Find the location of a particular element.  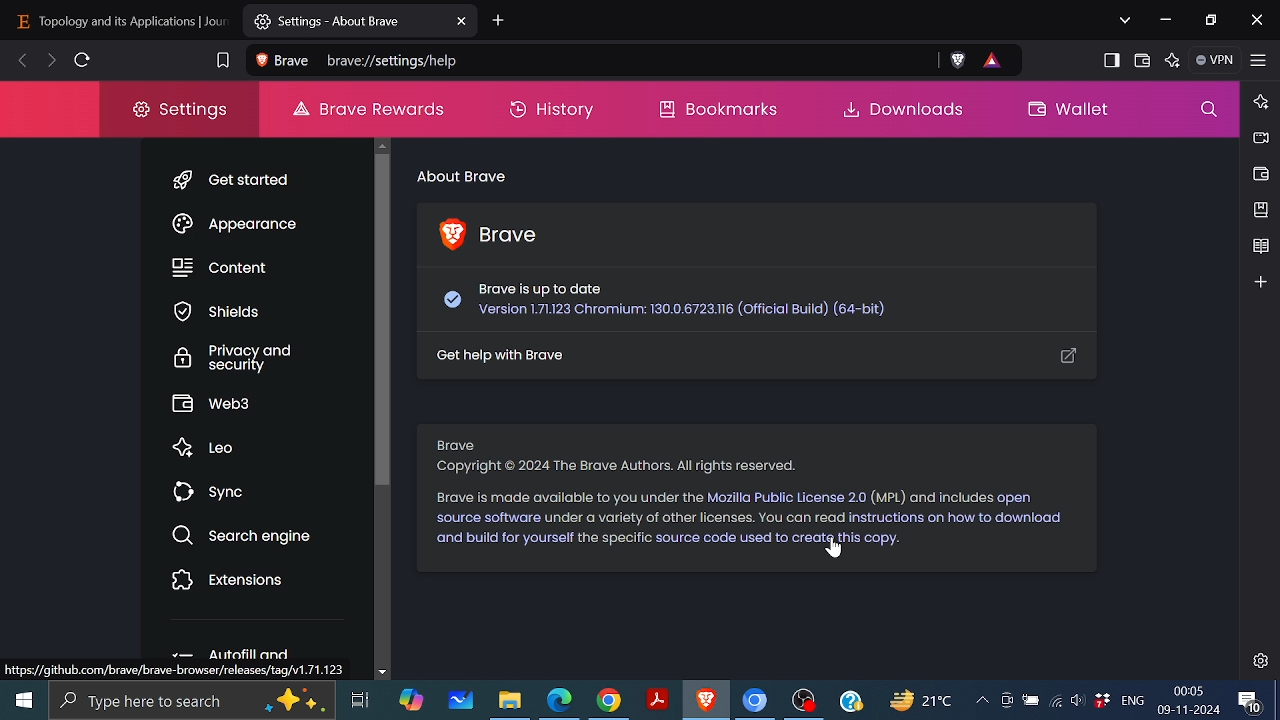

Internet Access is located at coordinates (1057, 697).